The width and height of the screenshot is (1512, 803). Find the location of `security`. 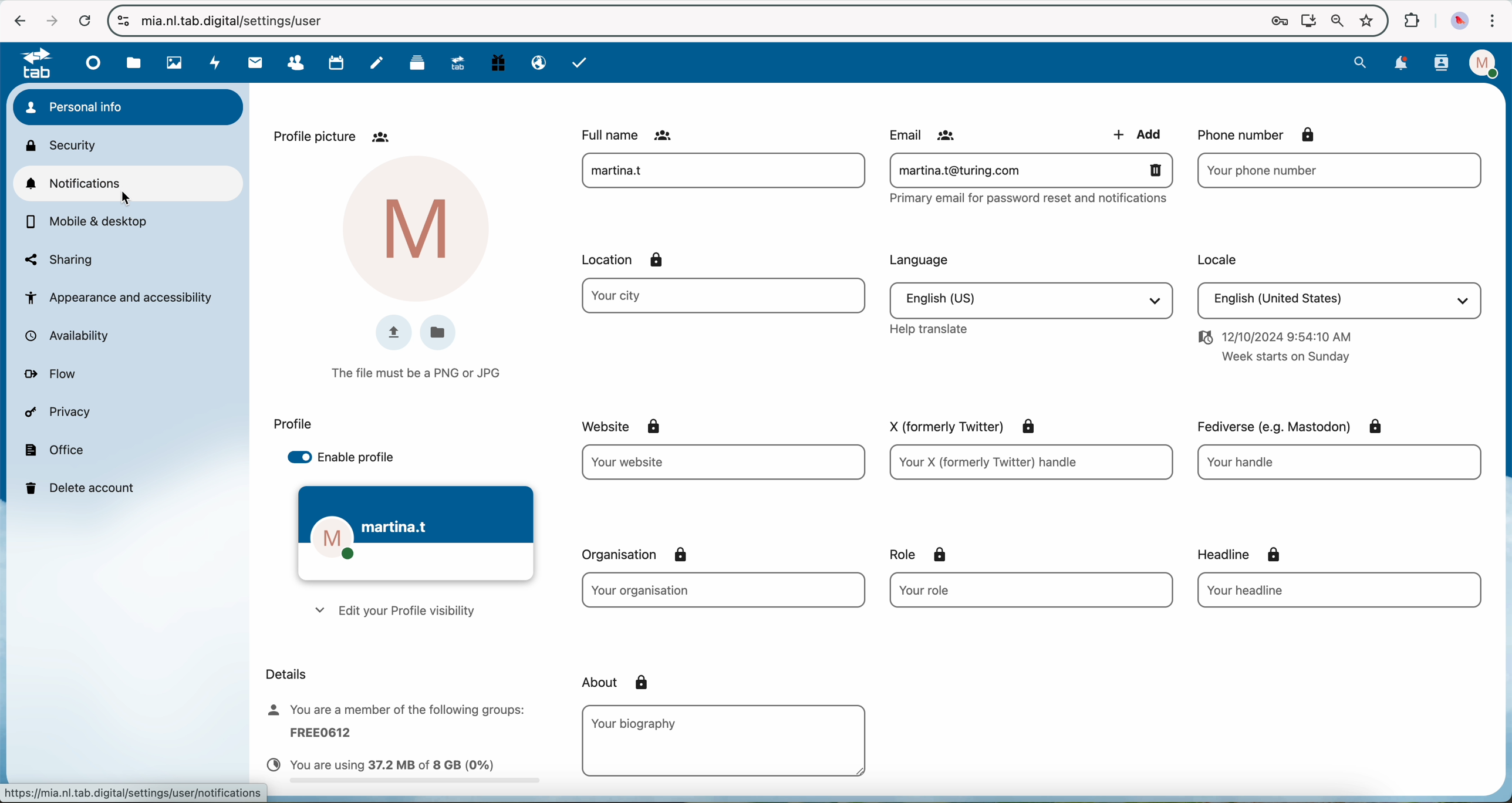

security is located at coordinates (65, 145).